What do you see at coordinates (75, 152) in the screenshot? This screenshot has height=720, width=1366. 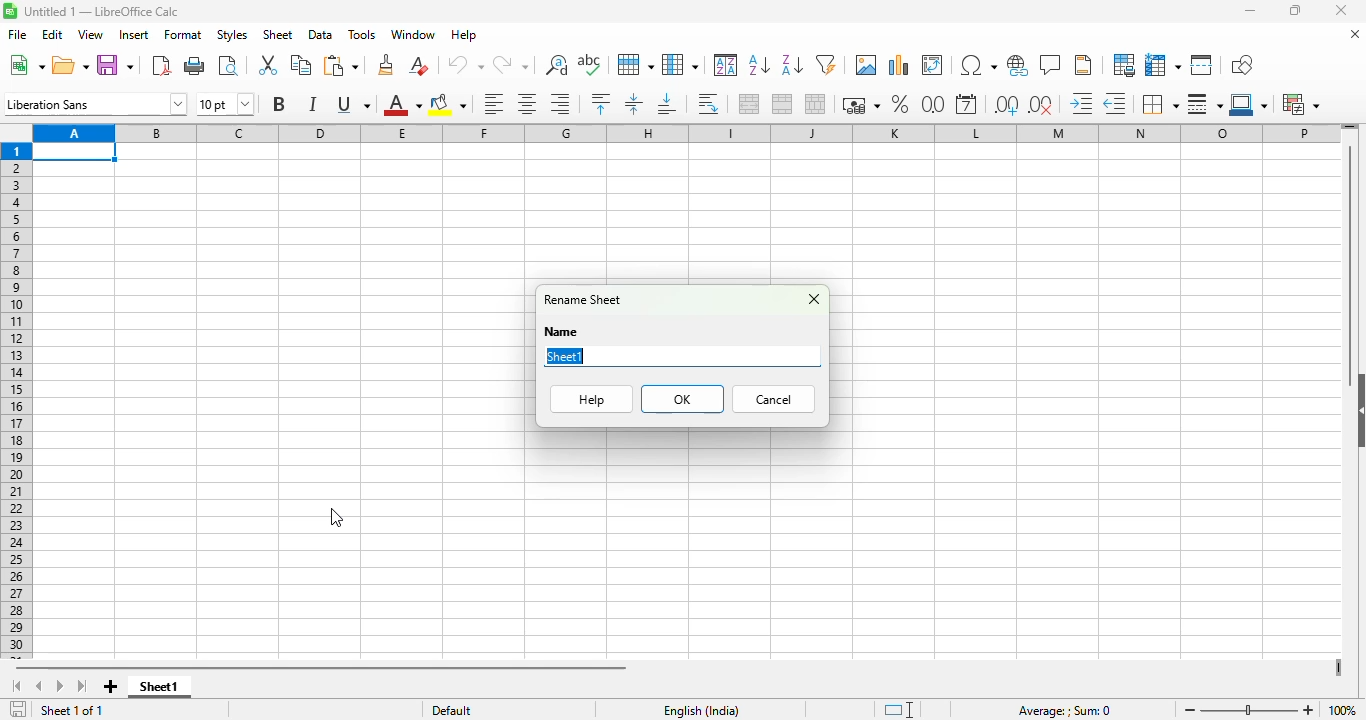 I see `active cell` at bounding box center [75, 152].